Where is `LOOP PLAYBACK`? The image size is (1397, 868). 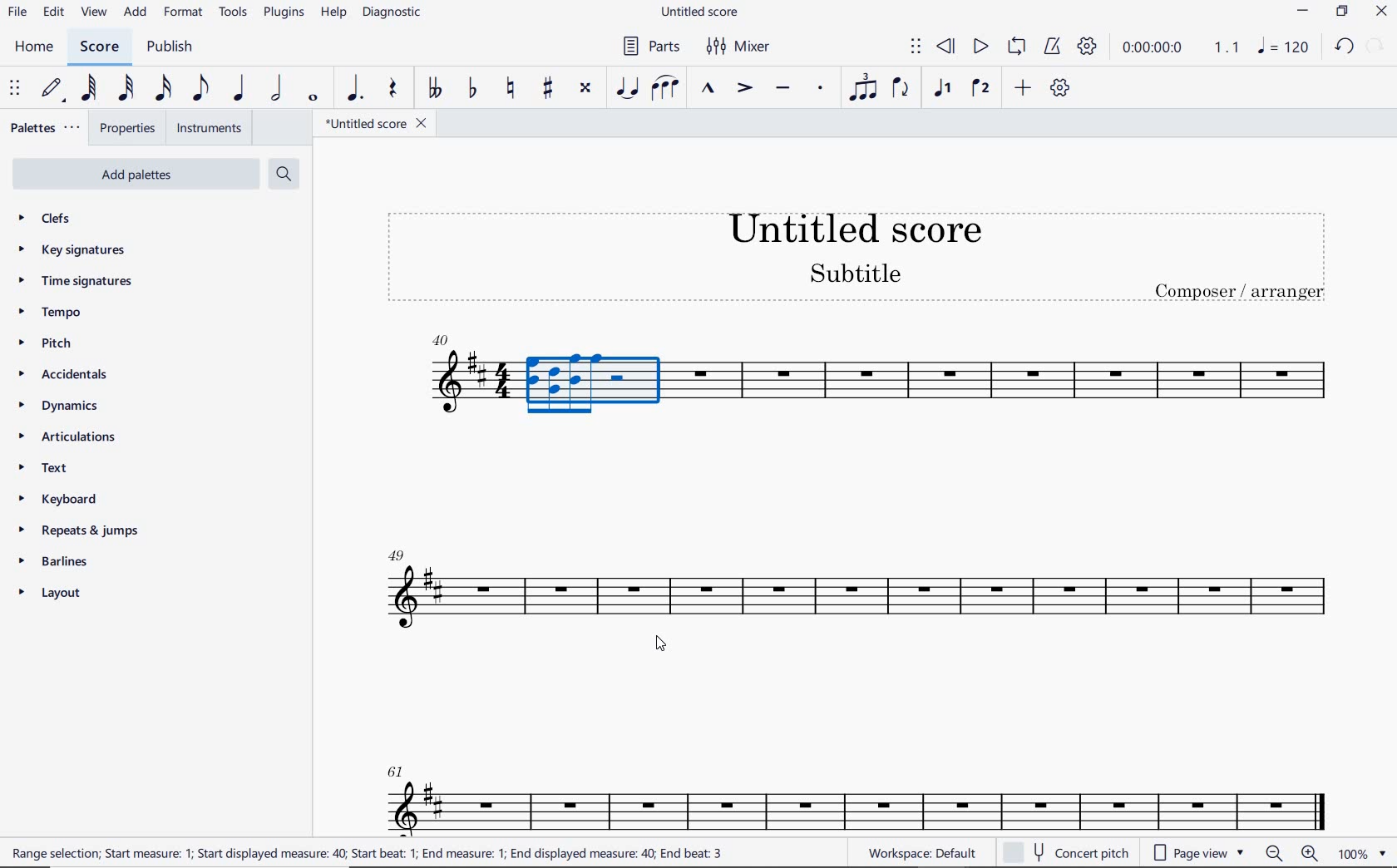 LOOP PLAYBACK is located at coordinates (1016, 48).